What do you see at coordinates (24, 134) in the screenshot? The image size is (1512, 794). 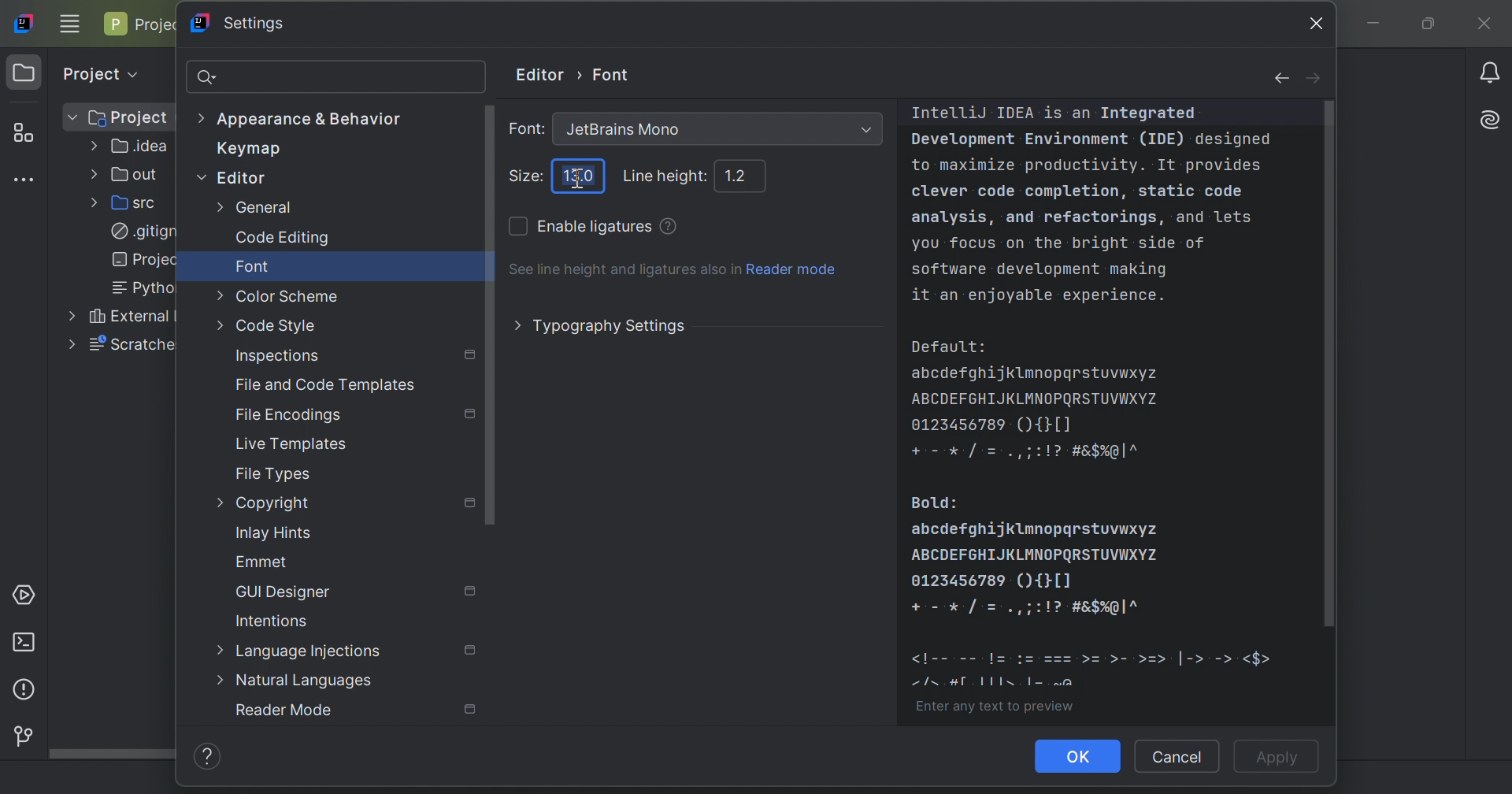 I see `Structure` at bounding box center [24, 134].